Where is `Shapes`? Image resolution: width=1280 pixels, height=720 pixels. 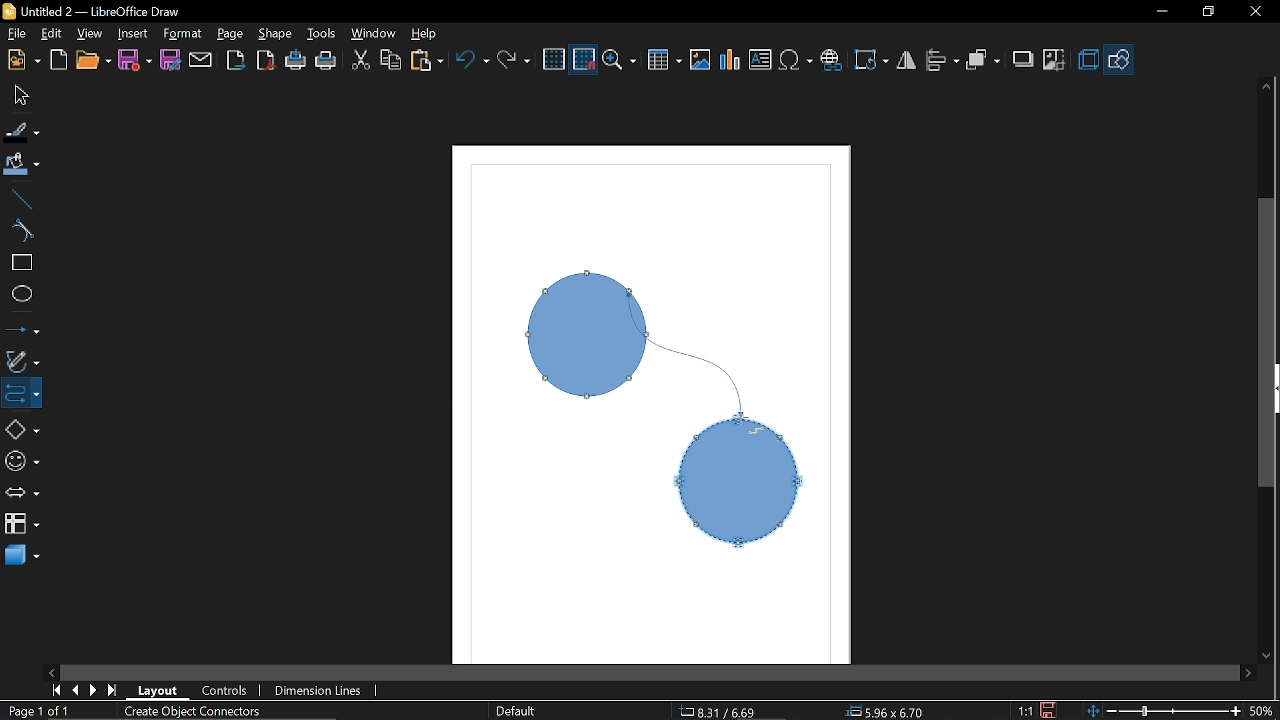 Shapes is located at coordinates (1121, 58).